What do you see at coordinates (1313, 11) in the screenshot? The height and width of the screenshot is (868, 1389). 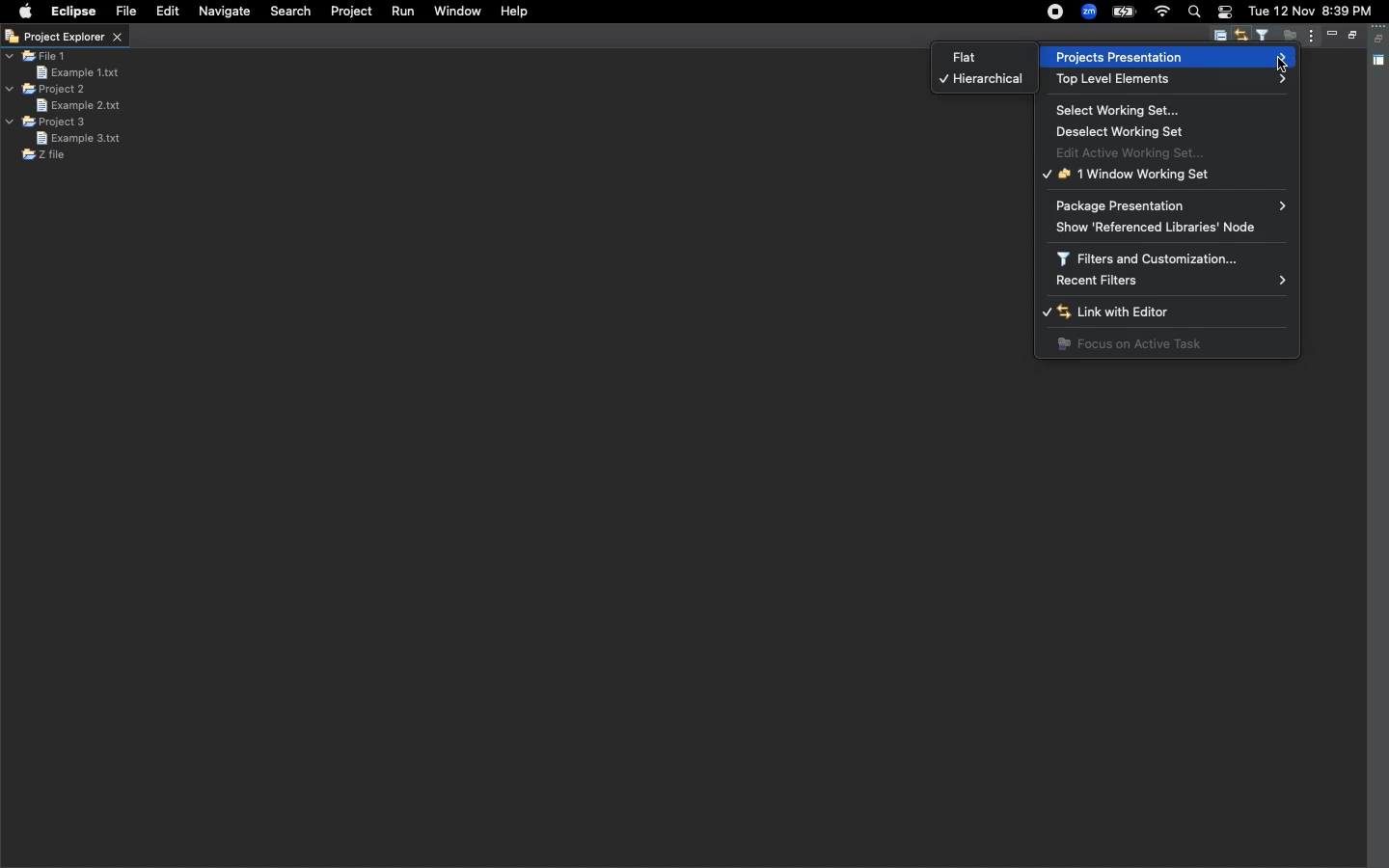 I see `tue 12 nov 8:39 pm ` at bounding box center [1313, 11].